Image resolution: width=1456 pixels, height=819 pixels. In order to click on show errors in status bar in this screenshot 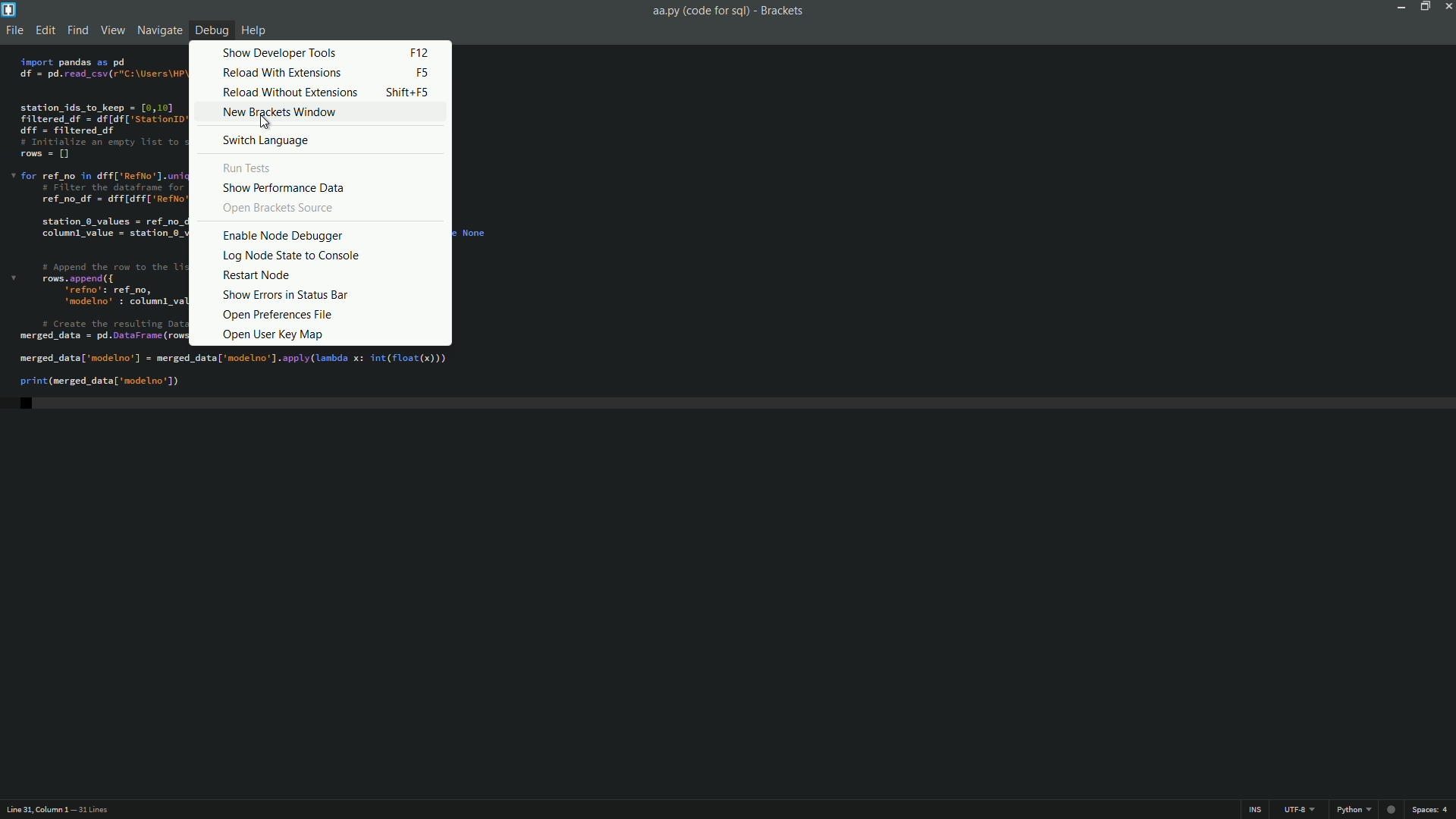, I will do `click(284, 296)`.